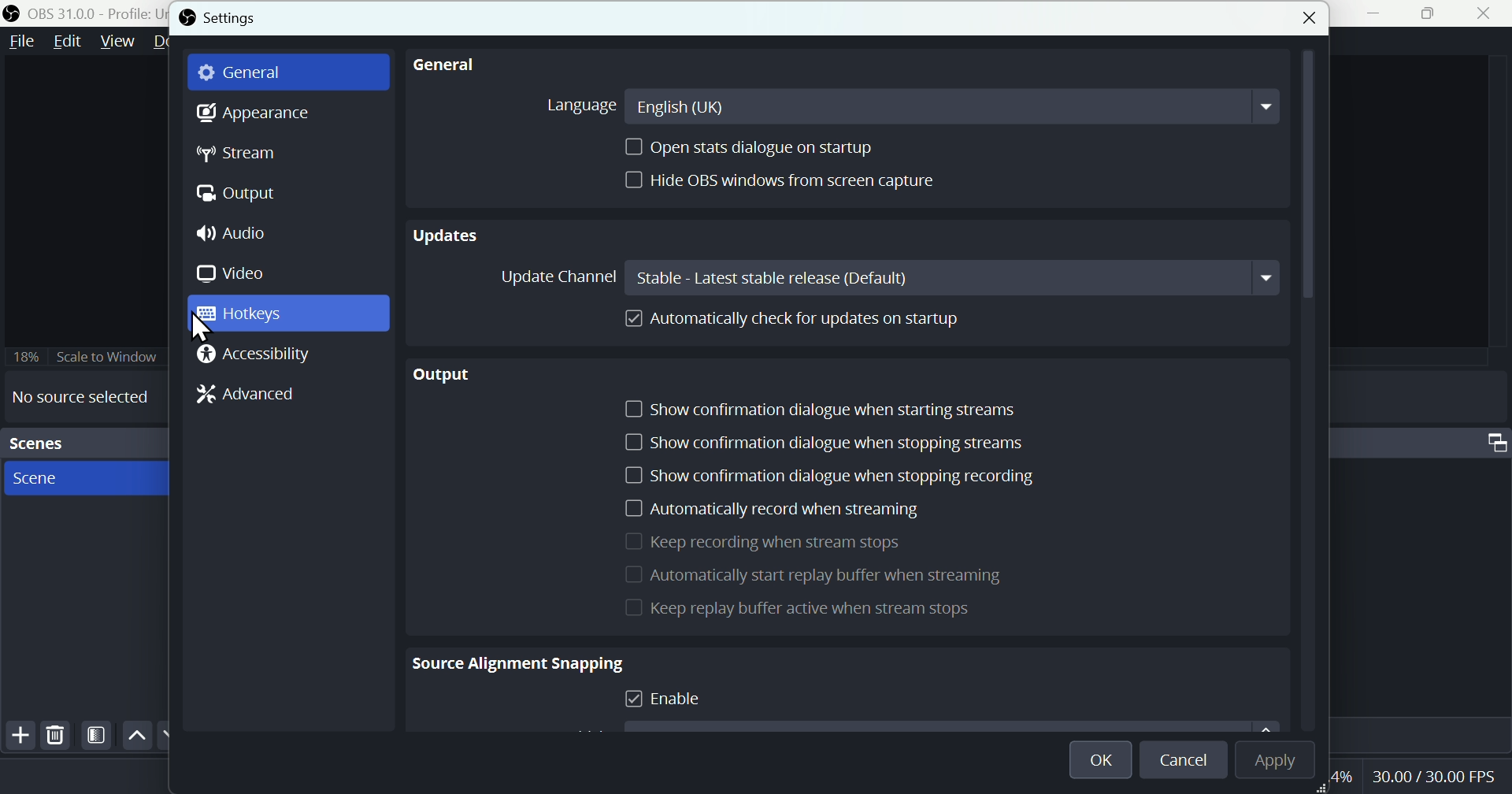 This screenshot has width=1512, height=794. I want to click on View, so click(114, 42).